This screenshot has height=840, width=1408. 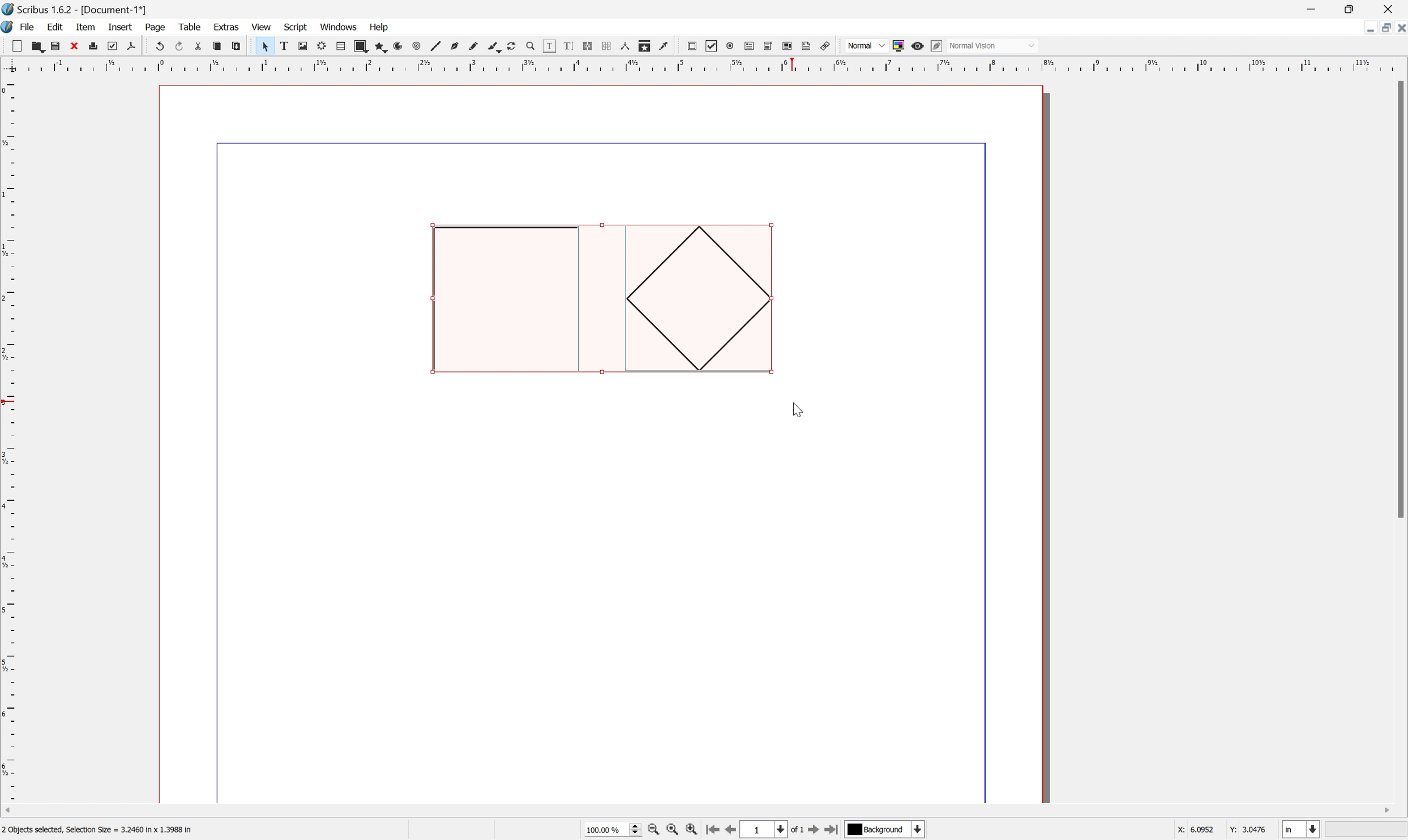 What do you see at coordinates (547, 46) in the screenshot?
I see `edit contents of frame` at bounding box center [547, 46].